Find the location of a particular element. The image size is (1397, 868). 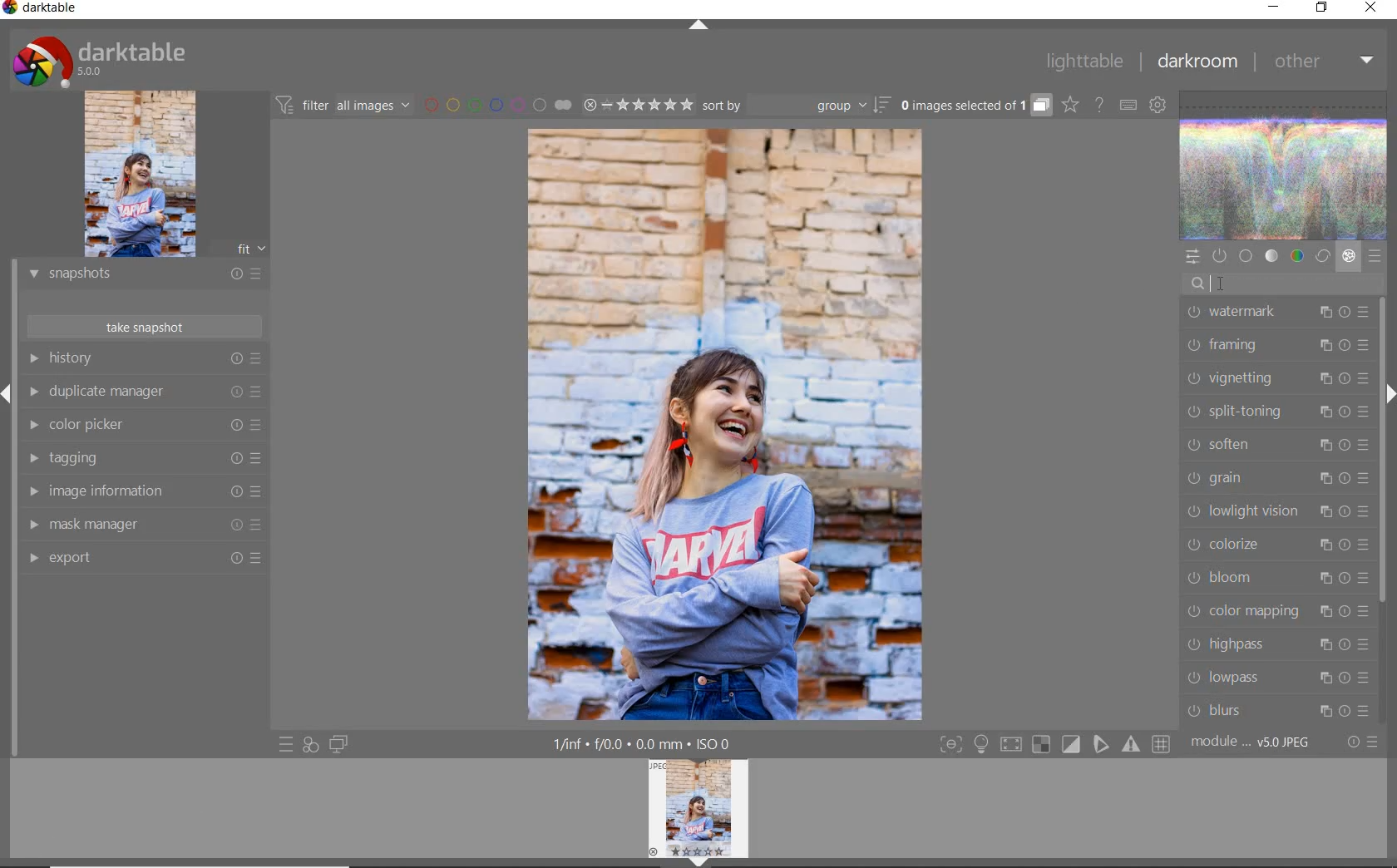

grain is located at coordinates (1278, 477).